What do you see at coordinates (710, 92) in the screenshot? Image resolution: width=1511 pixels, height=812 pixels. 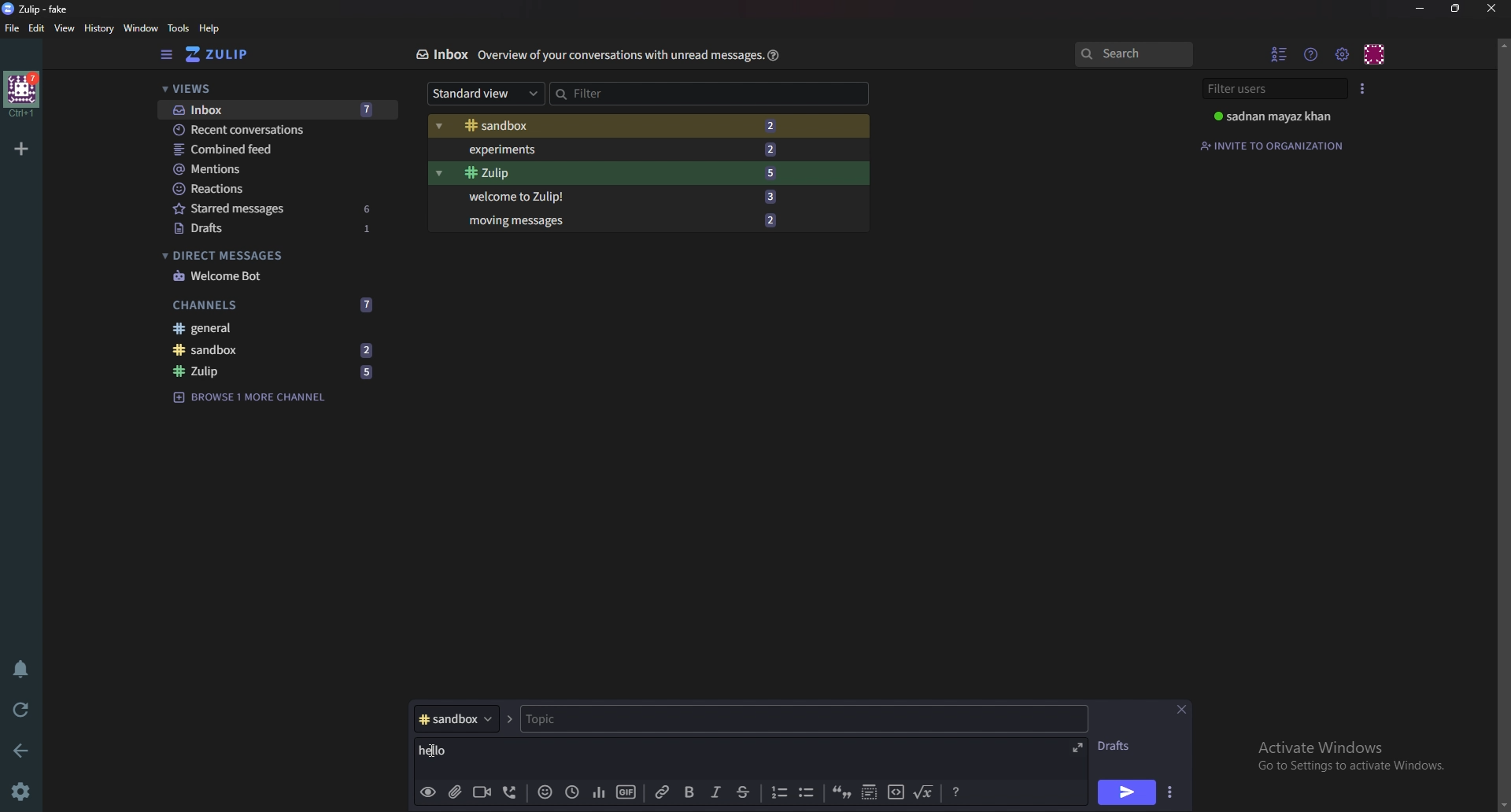 I see `Filter` at bounding box center [710, 92].